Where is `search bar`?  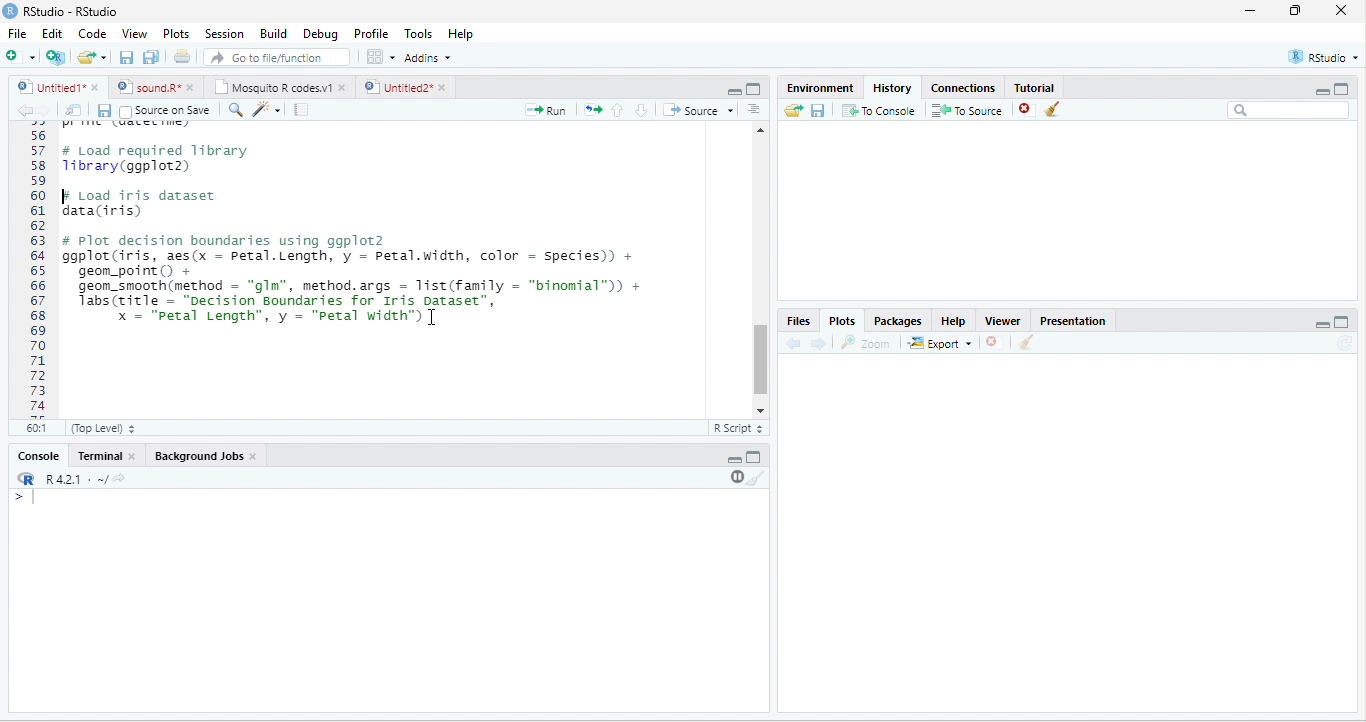
search bar is located at coordinates (1289, 109).